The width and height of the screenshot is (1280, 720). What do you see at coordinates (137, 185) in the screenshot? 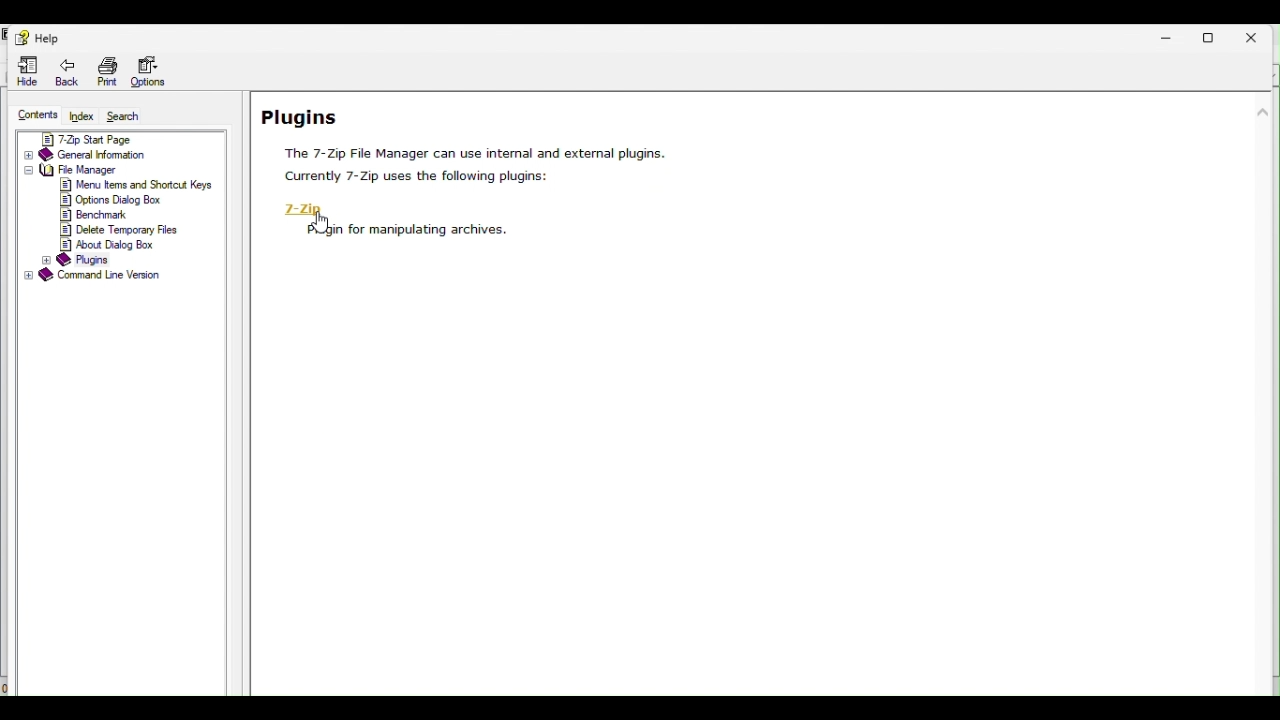
I see `menu` at bounding box center [137, 185].